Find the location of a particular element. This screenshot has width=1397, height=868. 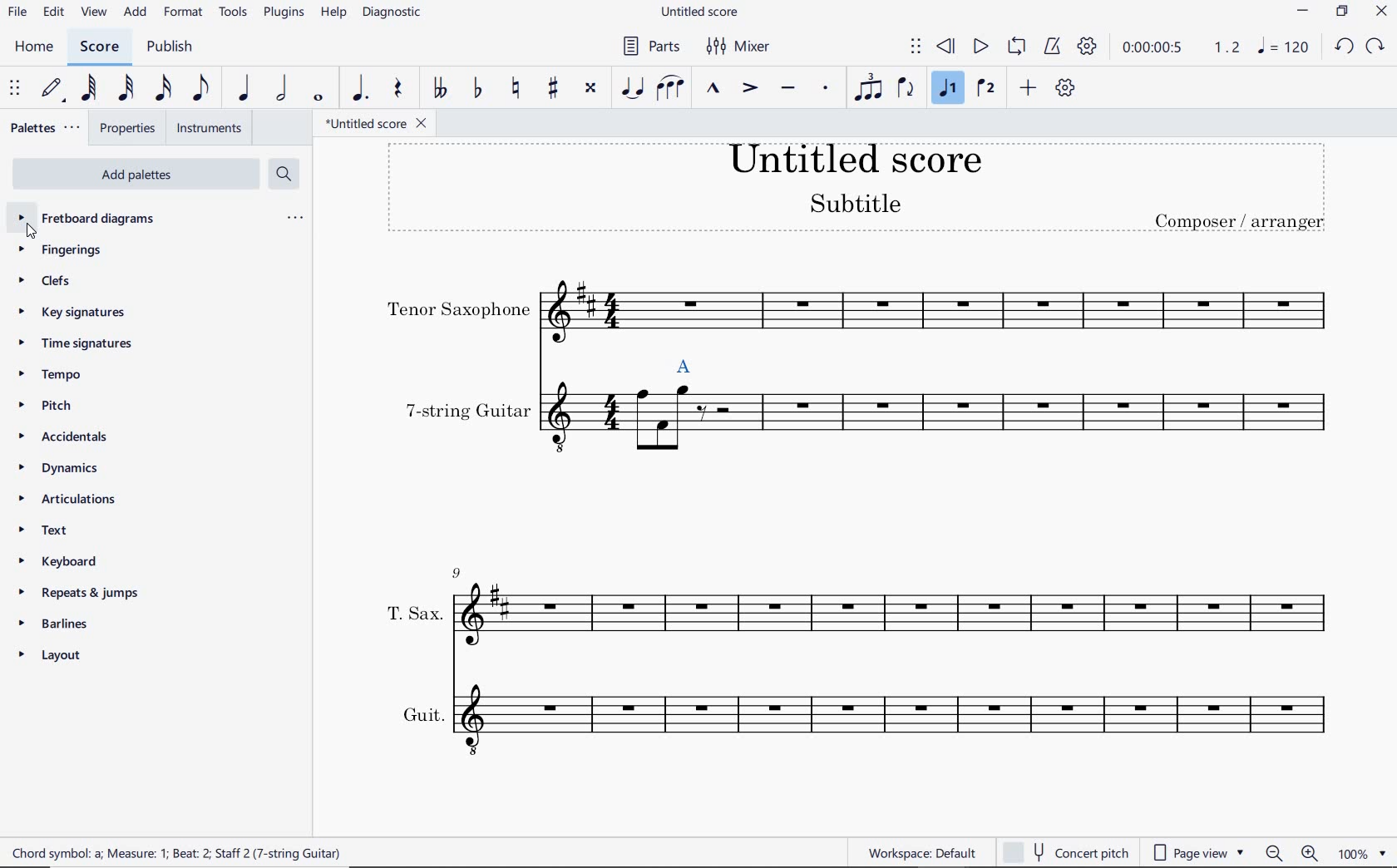

VIEW is located at coordinates (93, 12).